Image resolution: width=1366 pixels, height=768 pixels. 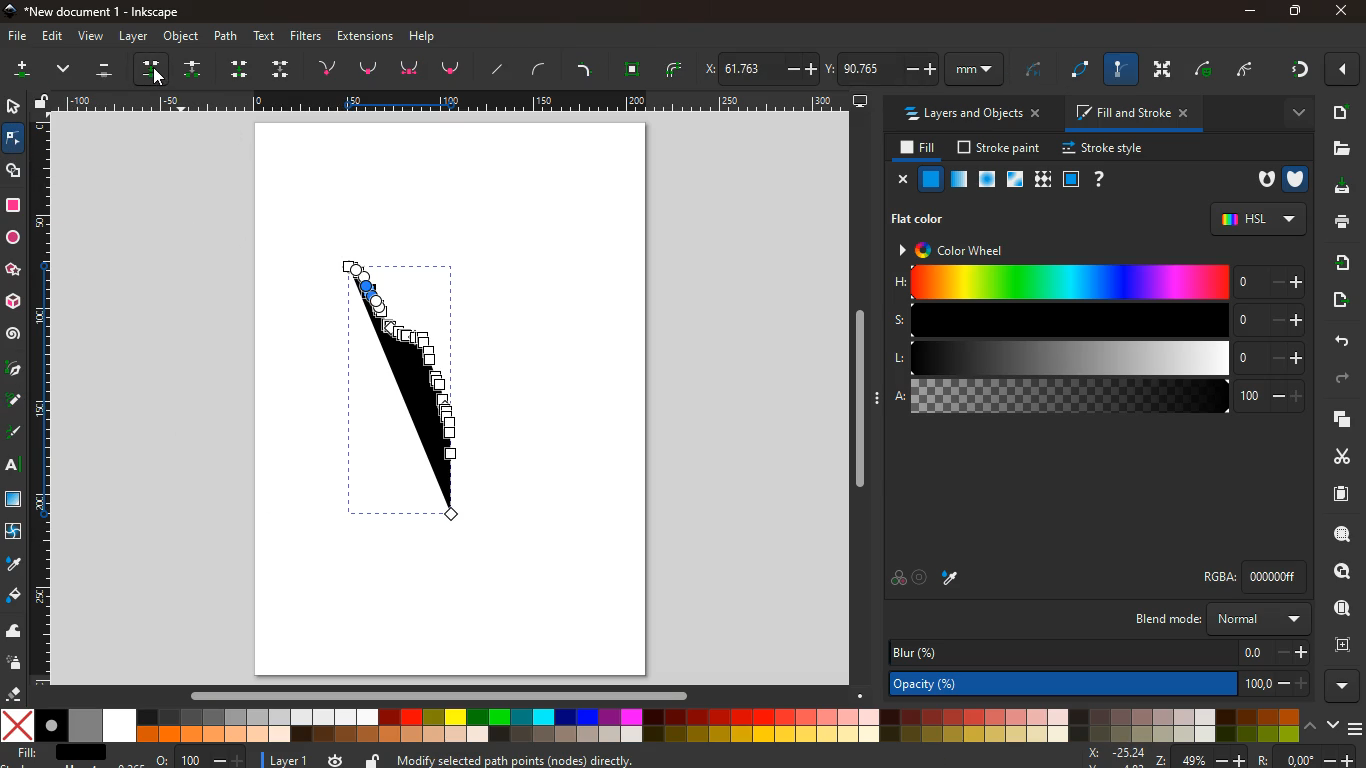 What do you see at coordinates (1098, 283) in the screenshot?
I see `h` at bounding box center [1098, 283].